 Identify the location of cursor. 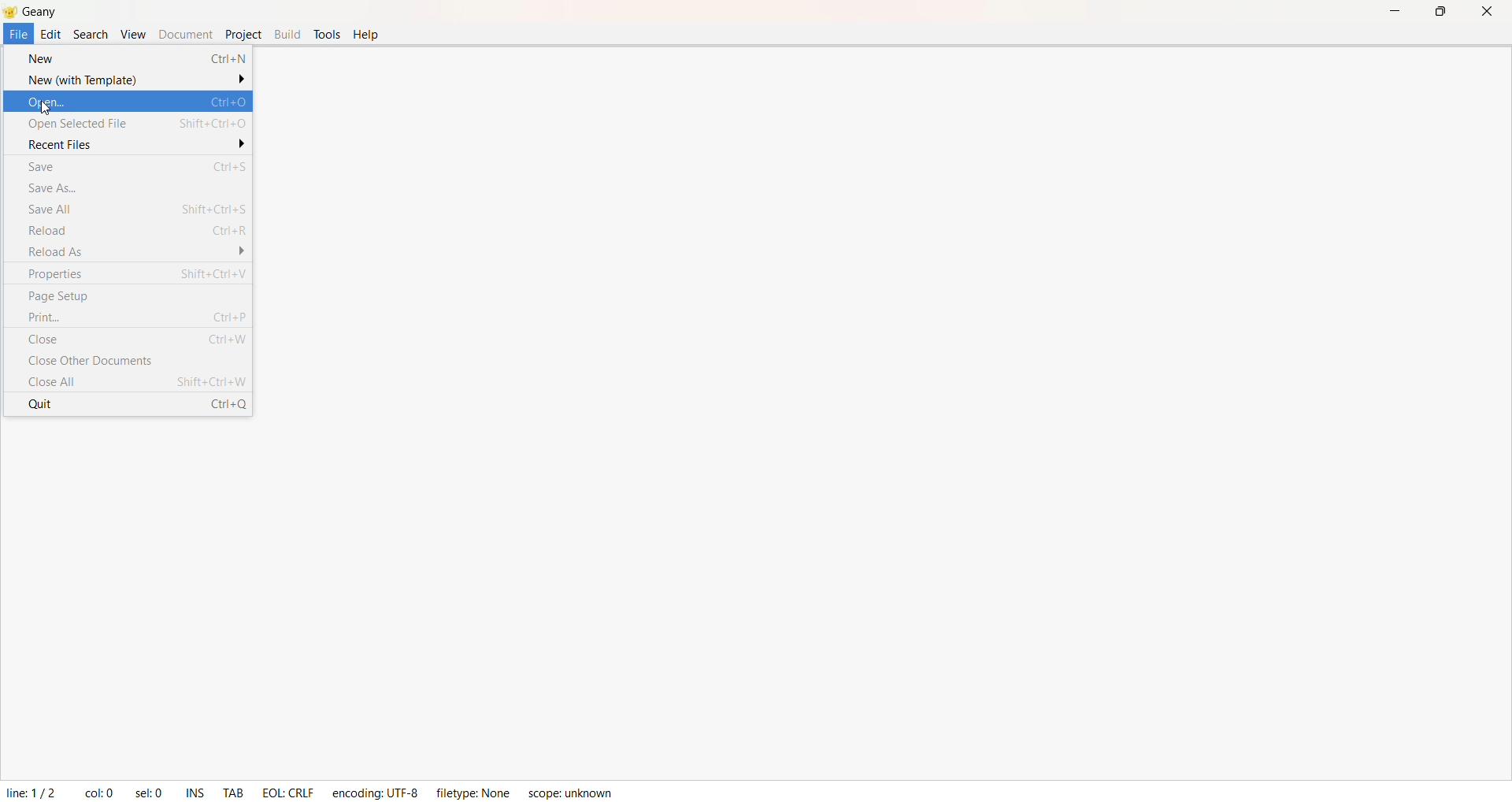
(49, 108).